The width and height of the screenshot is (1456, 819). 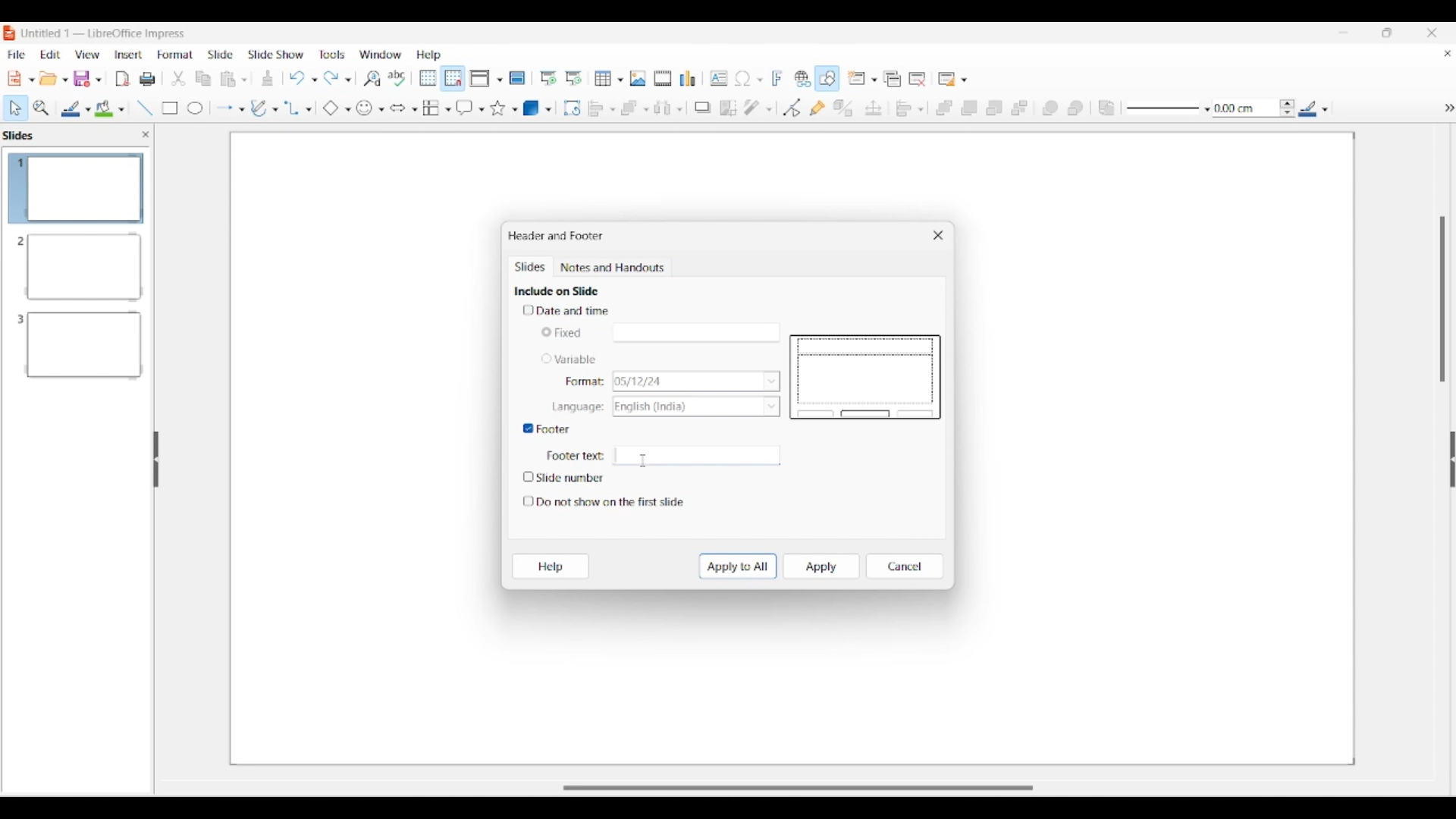 What do you see at coordinates (788, 783) in the screenshot?
I see `Slider` at bounding box center [788, 783].